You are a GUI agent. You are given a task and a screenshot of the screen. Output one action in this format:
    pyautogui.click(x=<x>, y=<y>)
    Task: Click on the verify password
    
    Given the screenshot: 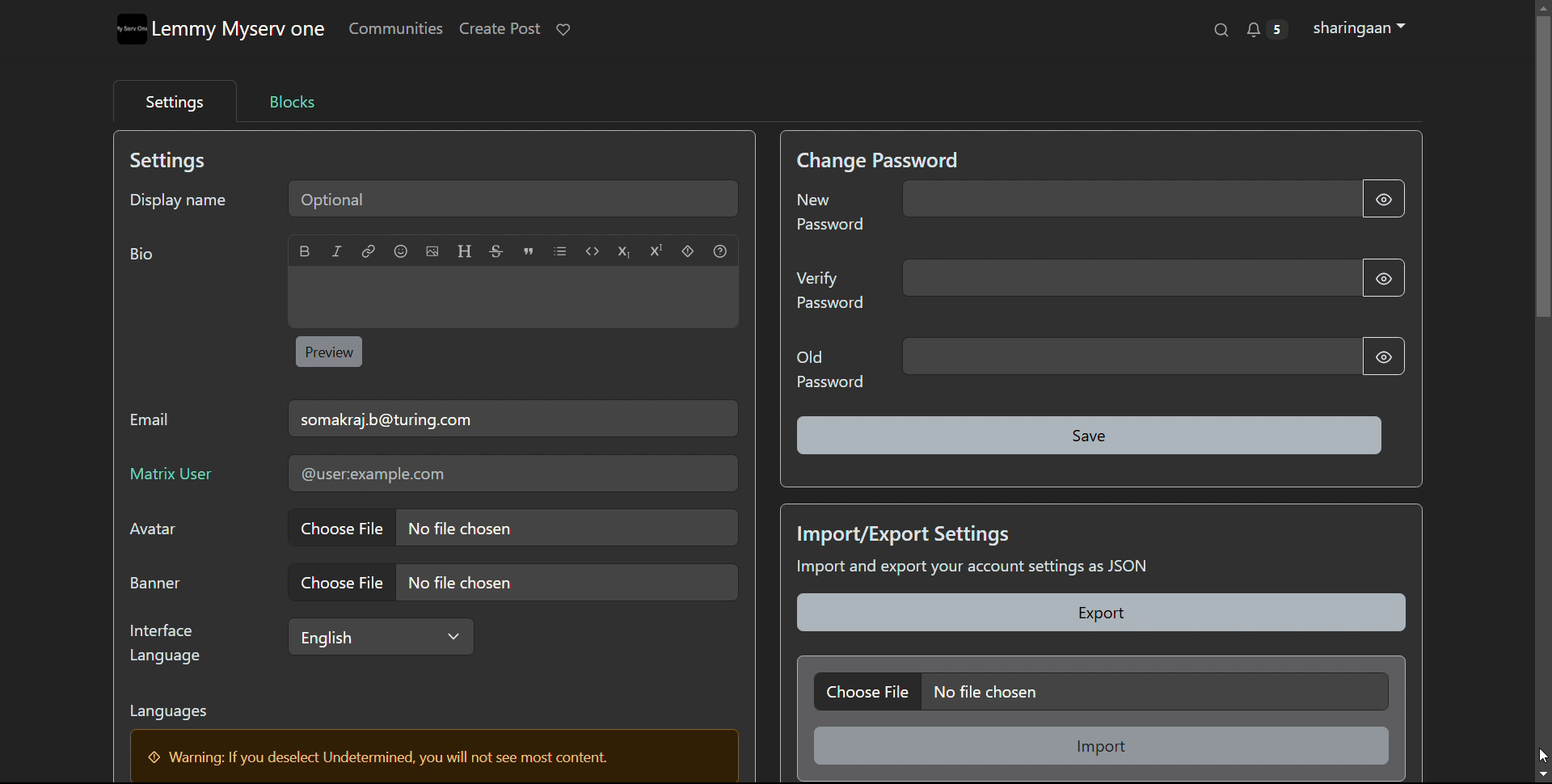 What is the action you would take?
    pyautogui.click(x=1128, y=278)
    